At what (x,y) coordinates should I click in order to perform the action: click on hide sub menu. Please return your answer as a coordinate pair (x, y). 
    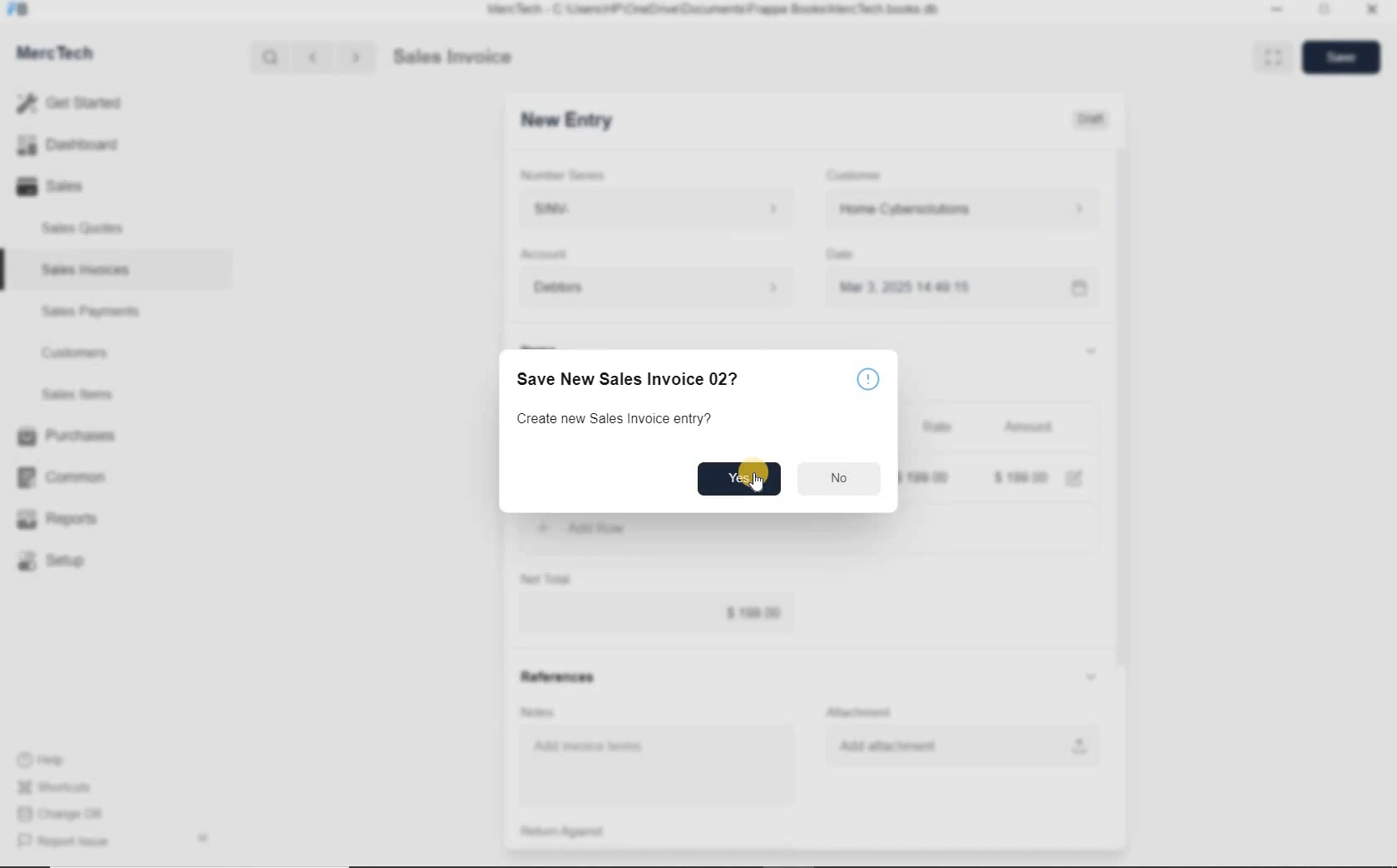
    Looking at the image, I should click on (1089, 350).